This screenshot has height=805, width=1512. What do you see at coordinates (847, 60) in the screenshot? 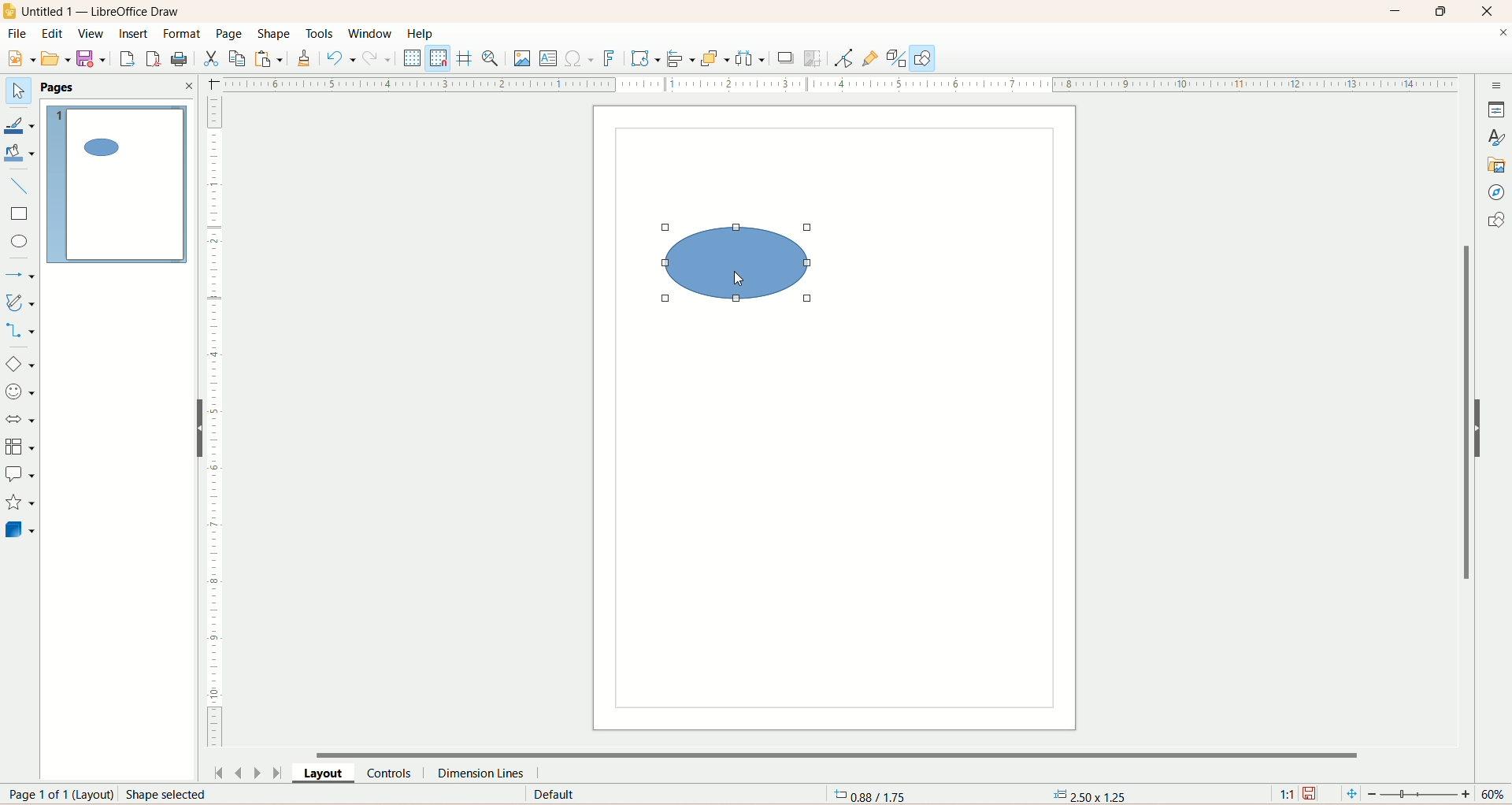
I see `point edit mode` at bounding box center [847, 60].